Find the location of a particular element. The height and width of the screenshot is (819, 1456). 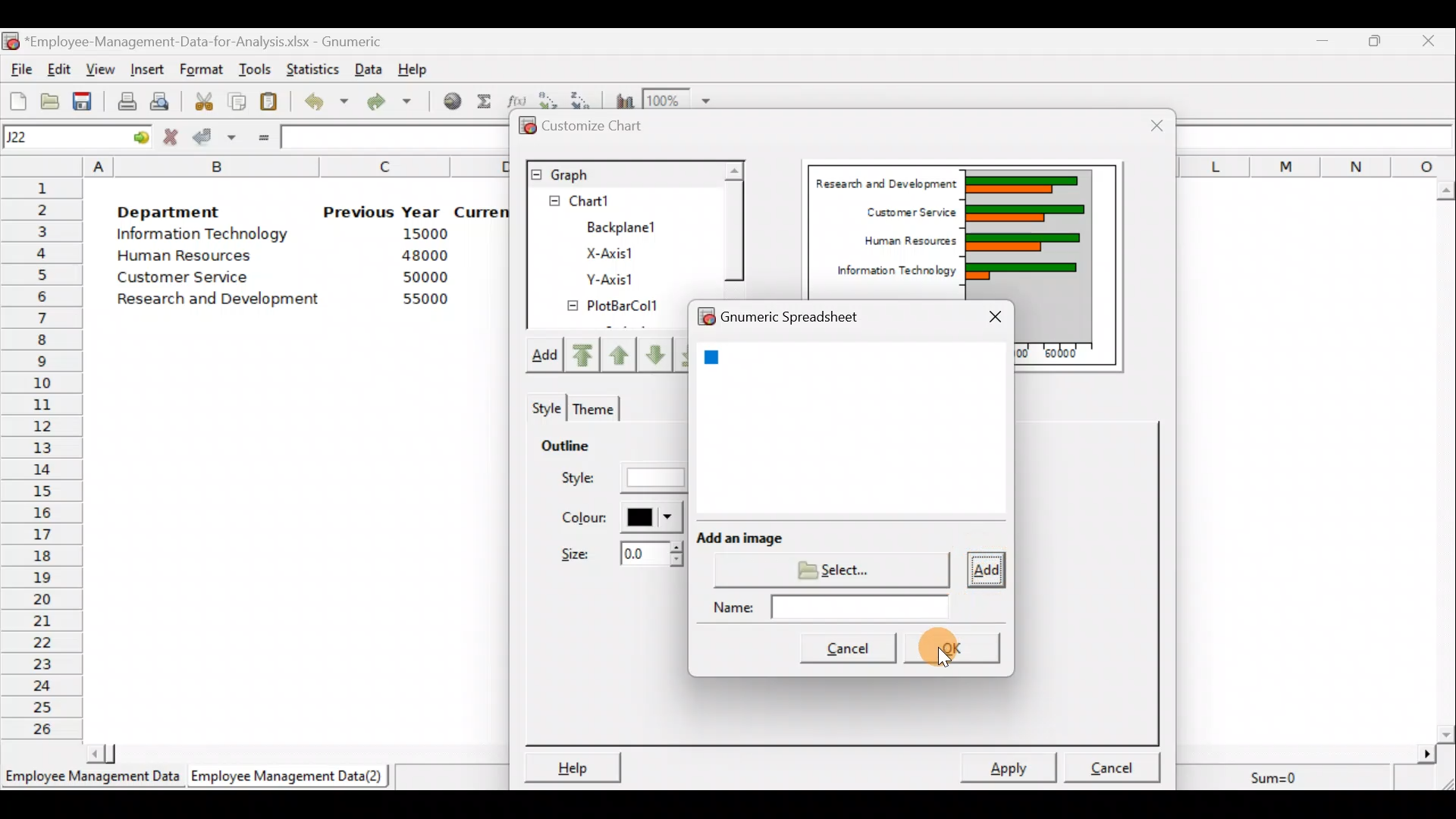

50000 is located at coordinates (422, 277).